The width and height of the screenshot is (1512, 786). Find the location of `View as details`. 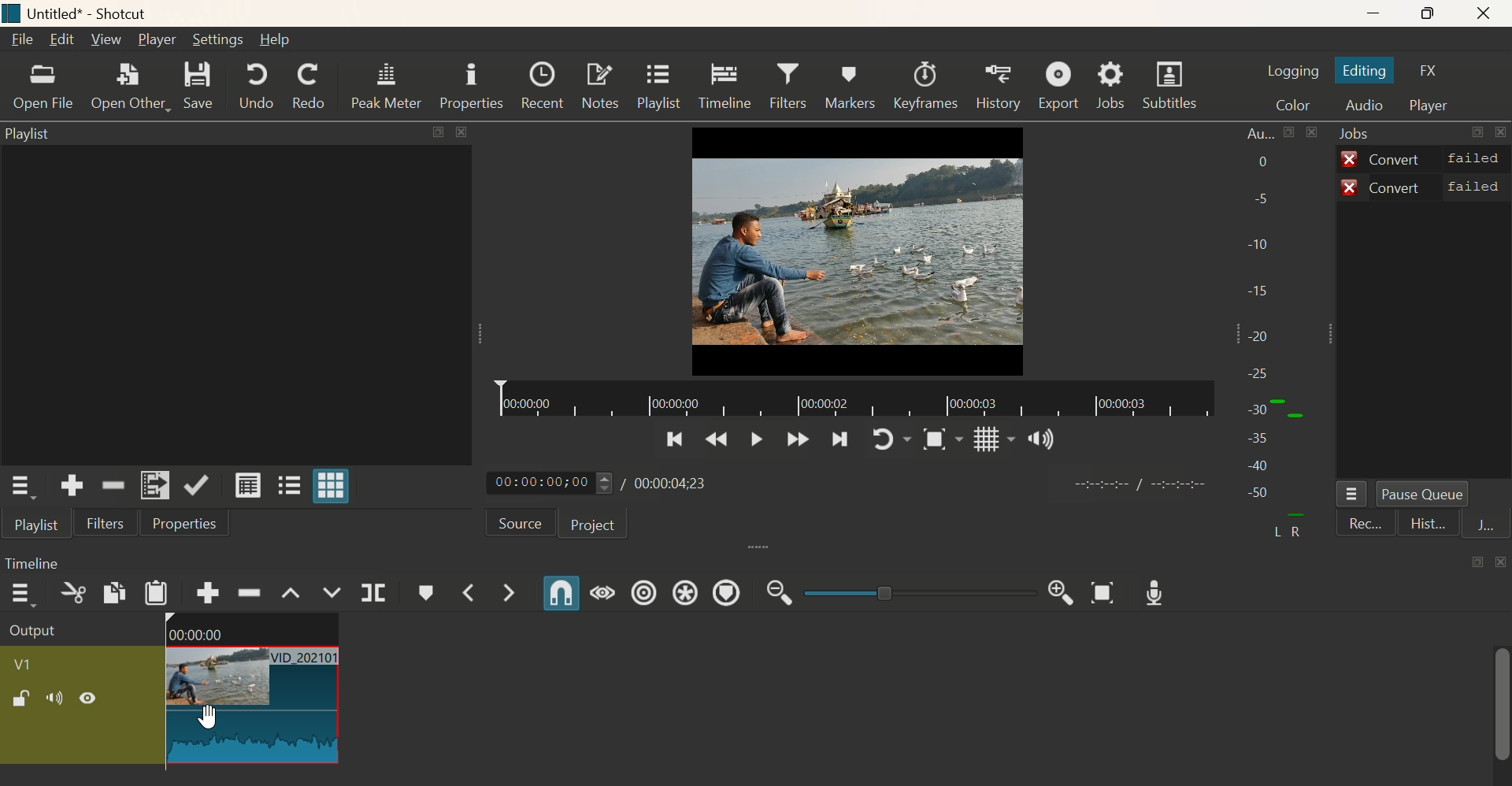

View as details is located at coordinates (250, 487).